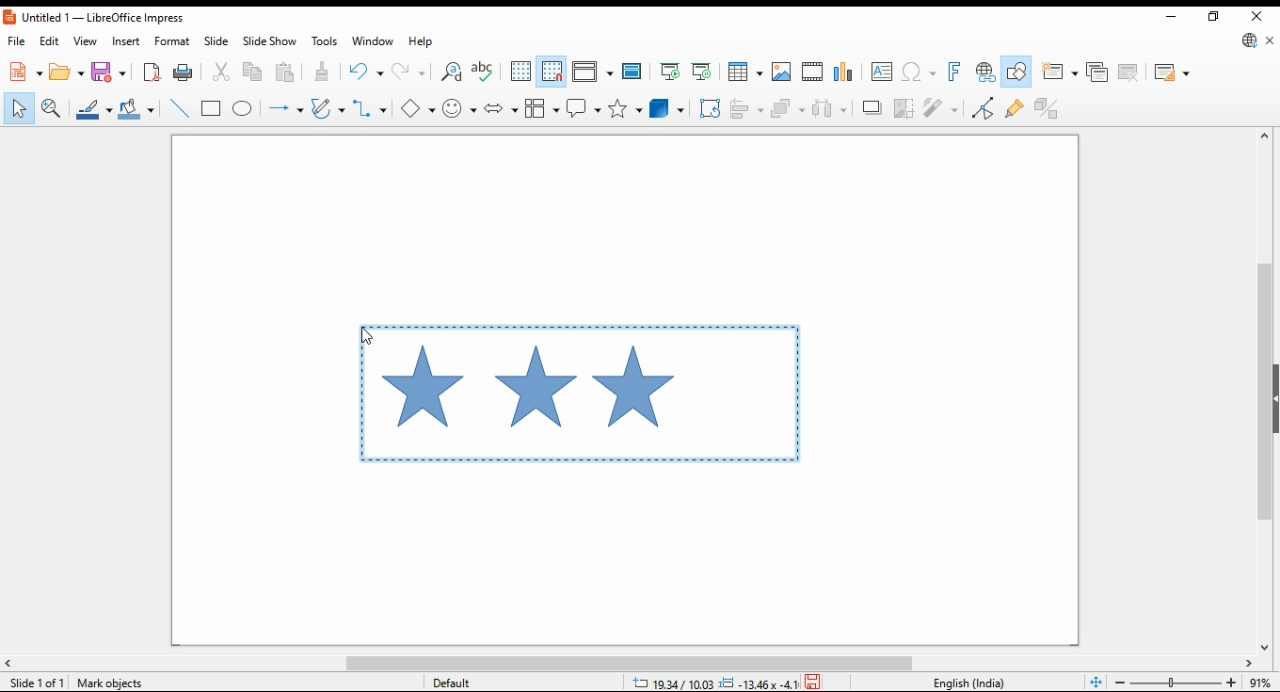  I want to click on align objects, so click(748, 109).